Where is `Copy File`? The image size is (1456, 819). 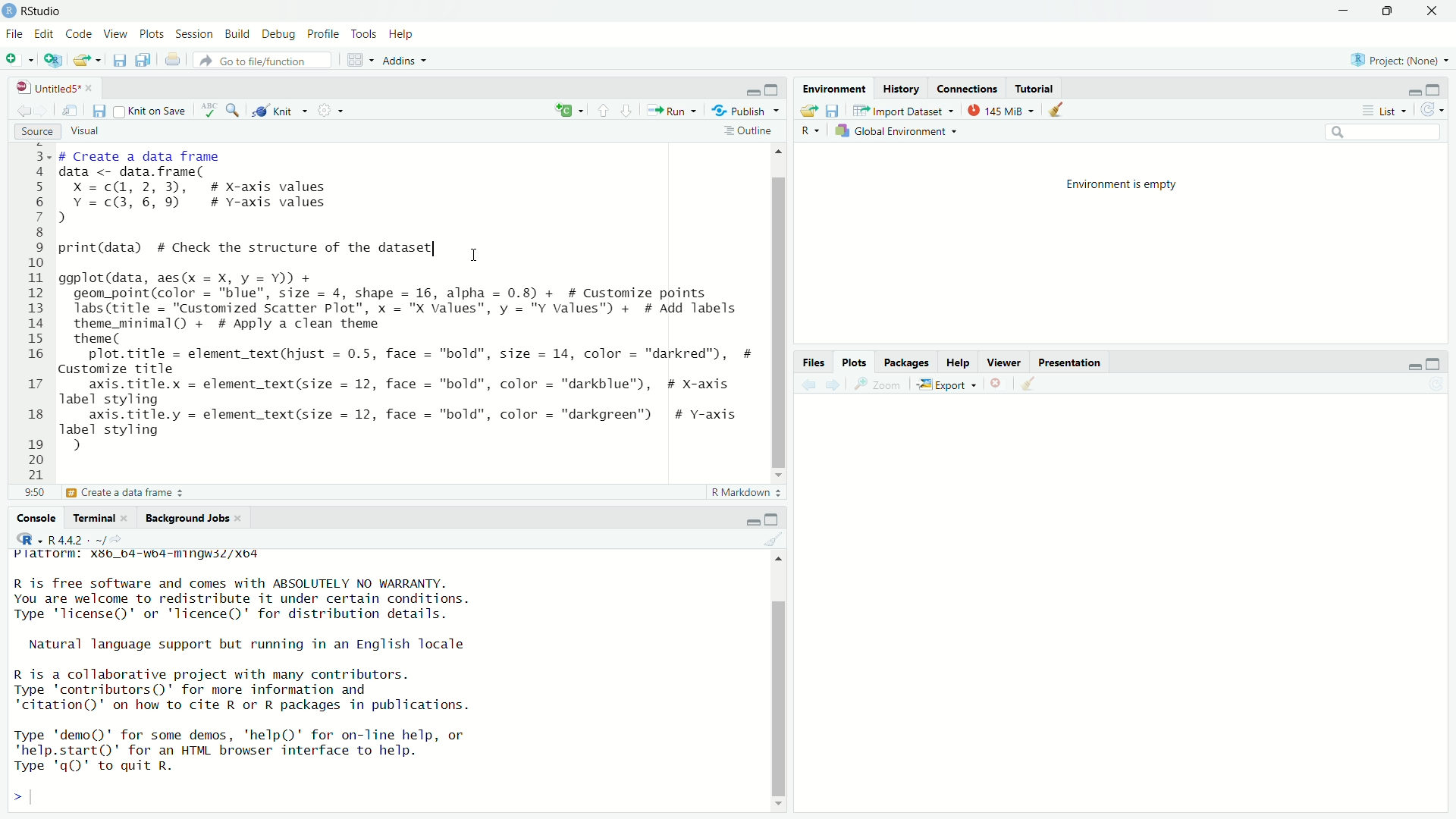 Copy File is located at coordinates (570, 112).